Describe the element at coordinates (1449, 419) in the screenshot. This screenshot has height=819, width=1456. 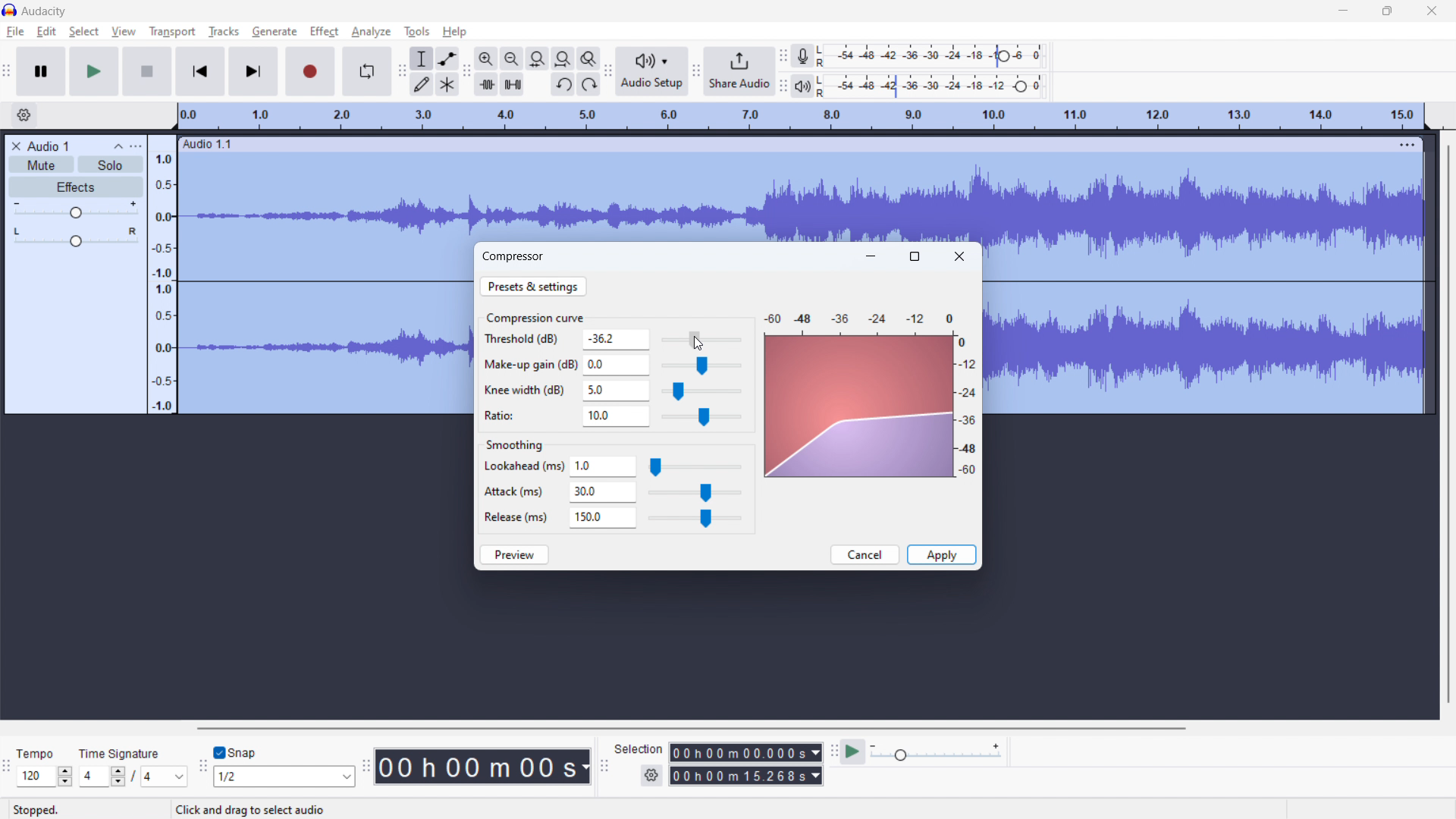
I see `vertical scrollbar` at that location.